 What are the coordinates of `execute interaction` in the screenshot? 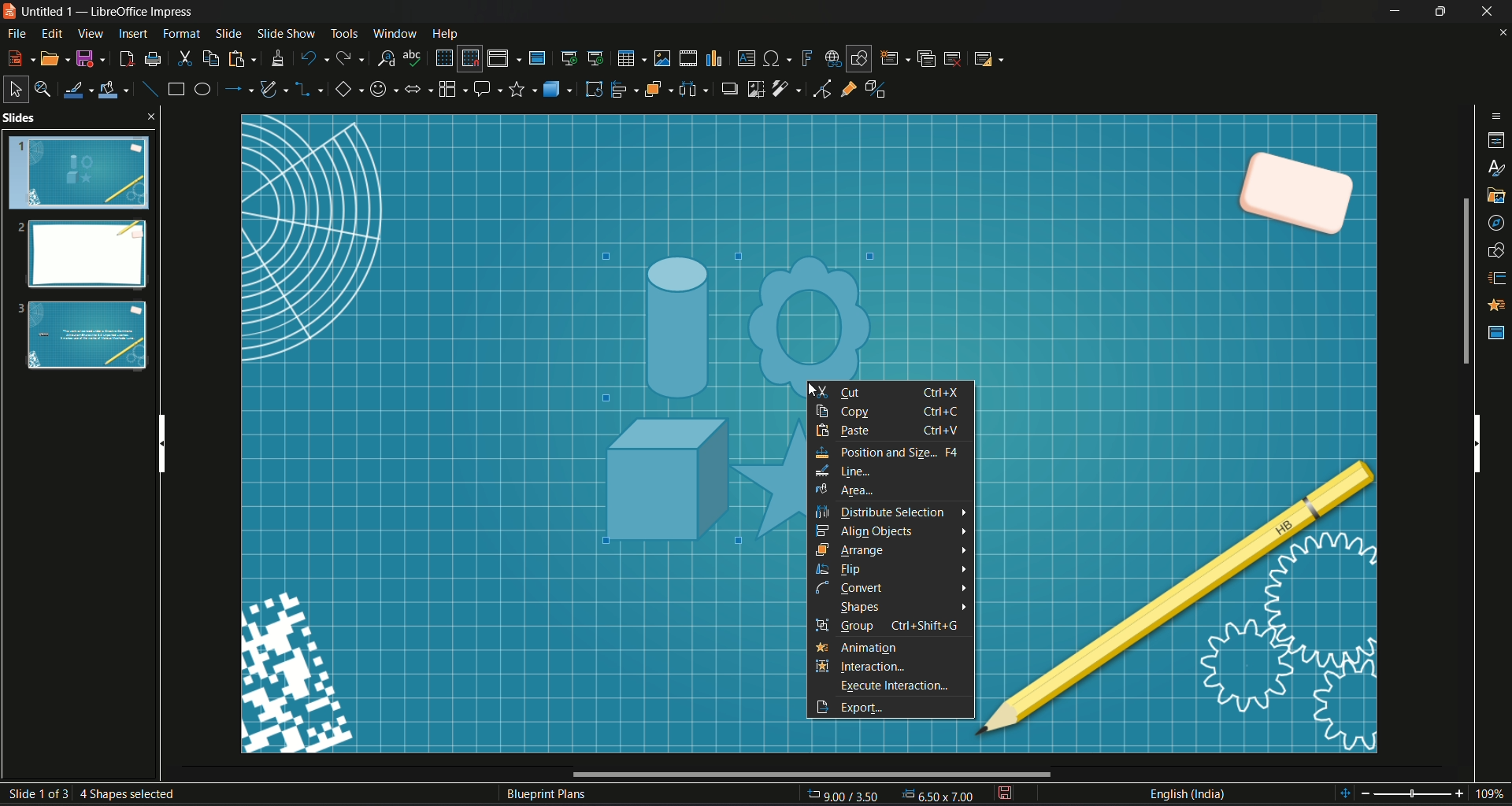 It's located at (896, 686).